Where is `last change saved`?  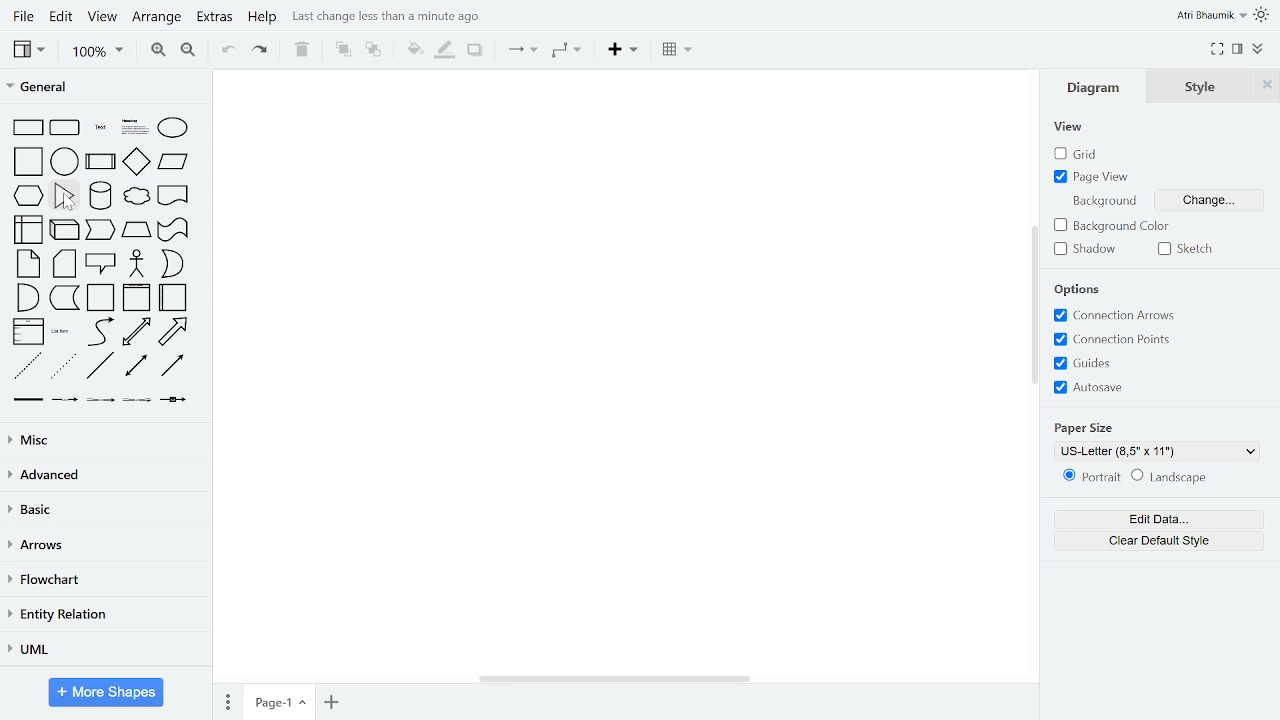 last change saved is located at coordinates (386, 17).